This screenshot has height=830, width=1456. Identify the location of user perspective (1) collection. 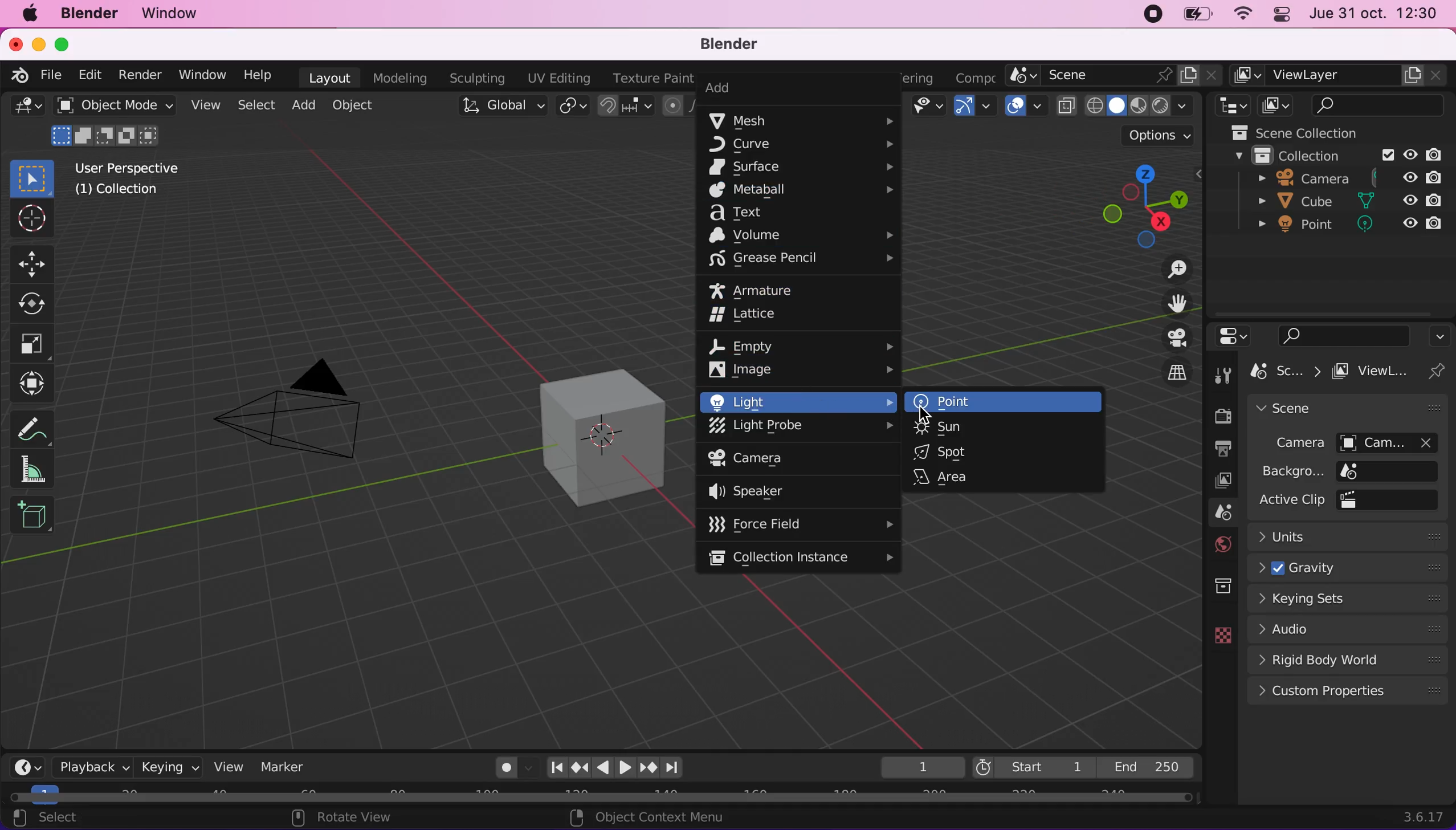
(132, 178).